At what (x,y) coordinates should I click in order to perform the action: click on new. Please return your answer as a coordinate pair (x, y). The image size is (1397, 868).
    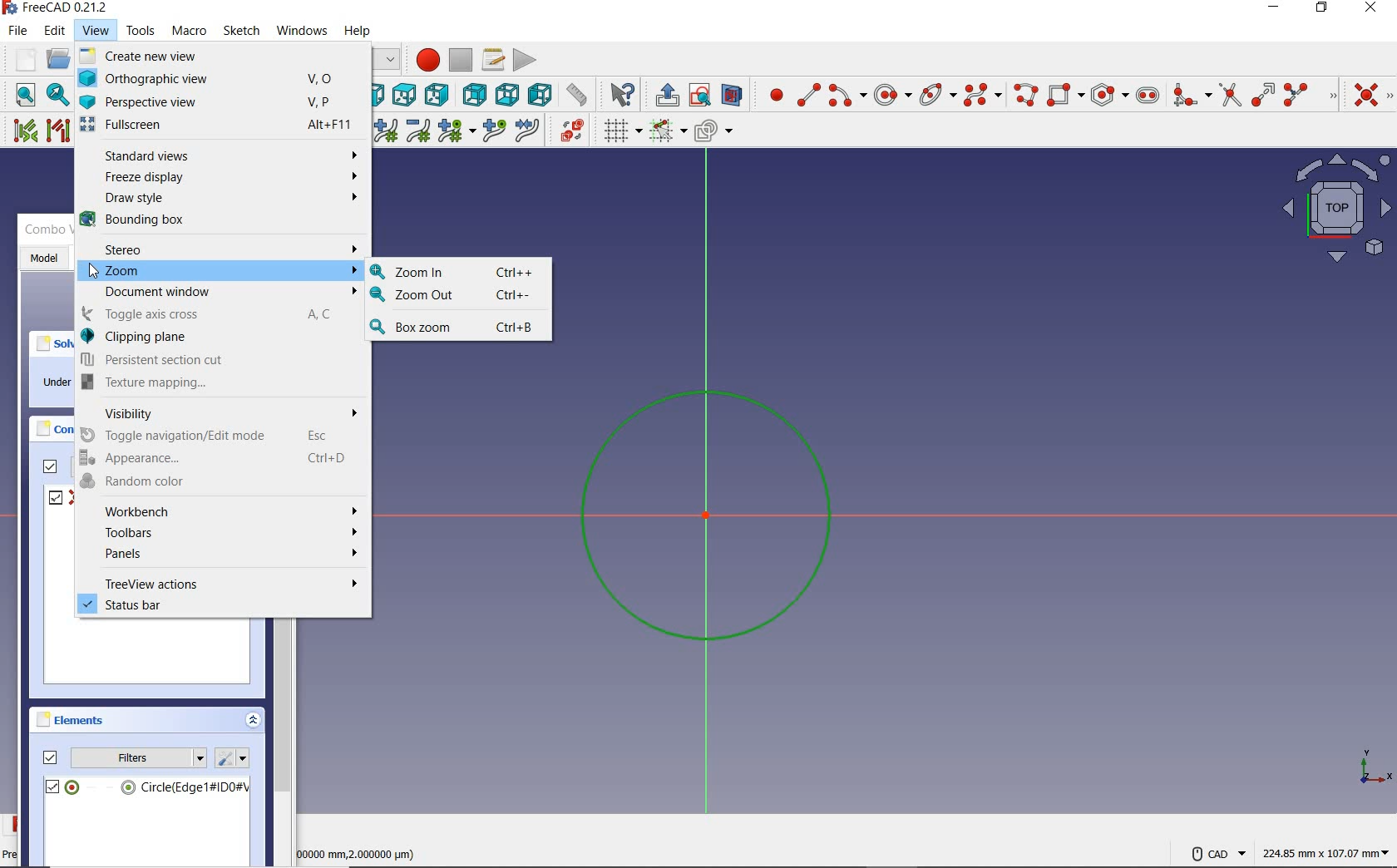
    Looking at the image, I should click on (21, 58).